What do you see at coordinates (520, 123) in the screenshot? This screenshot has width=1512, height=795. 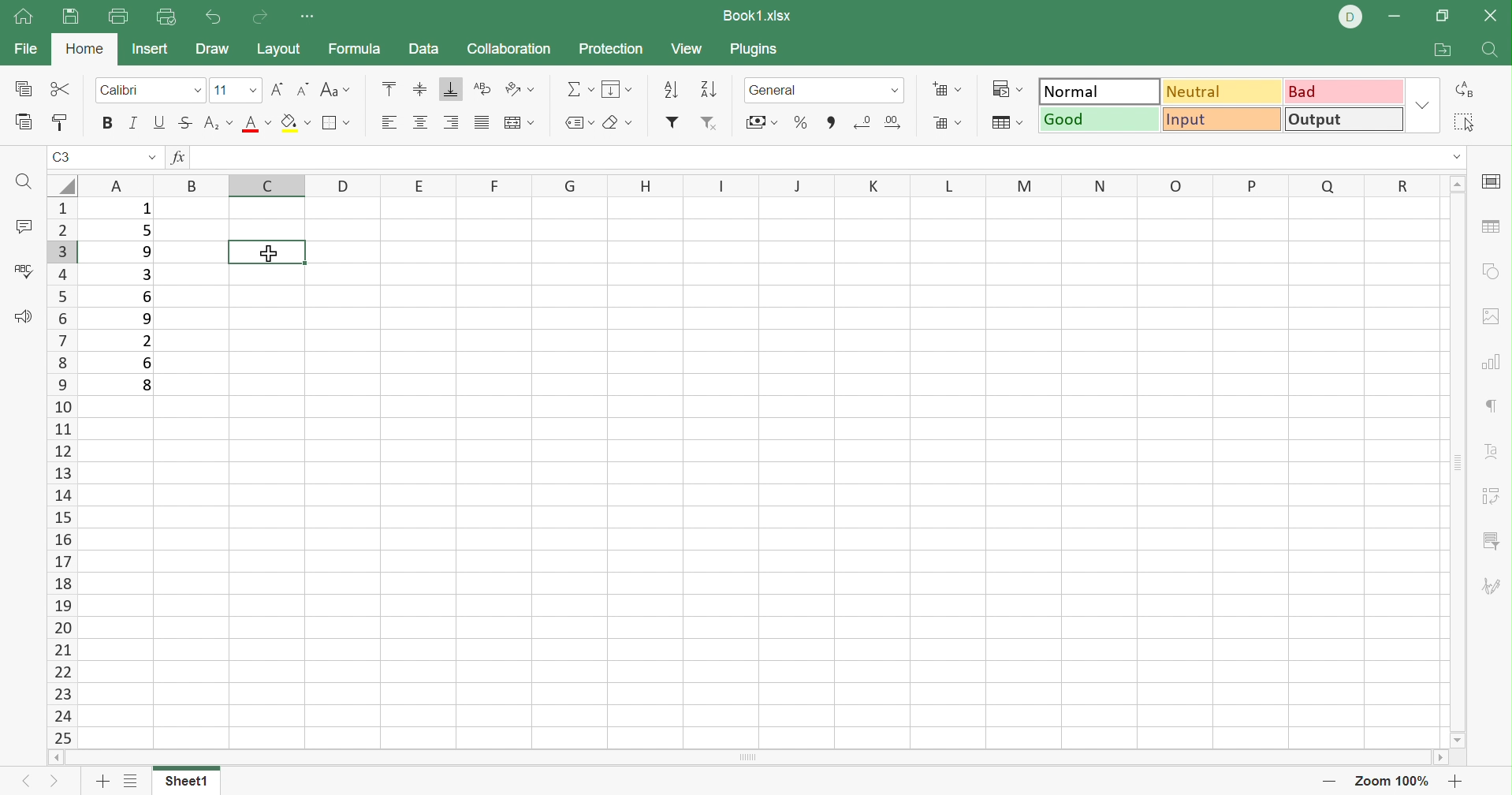 I see `Merge and center` at bounding box center [520, 123].